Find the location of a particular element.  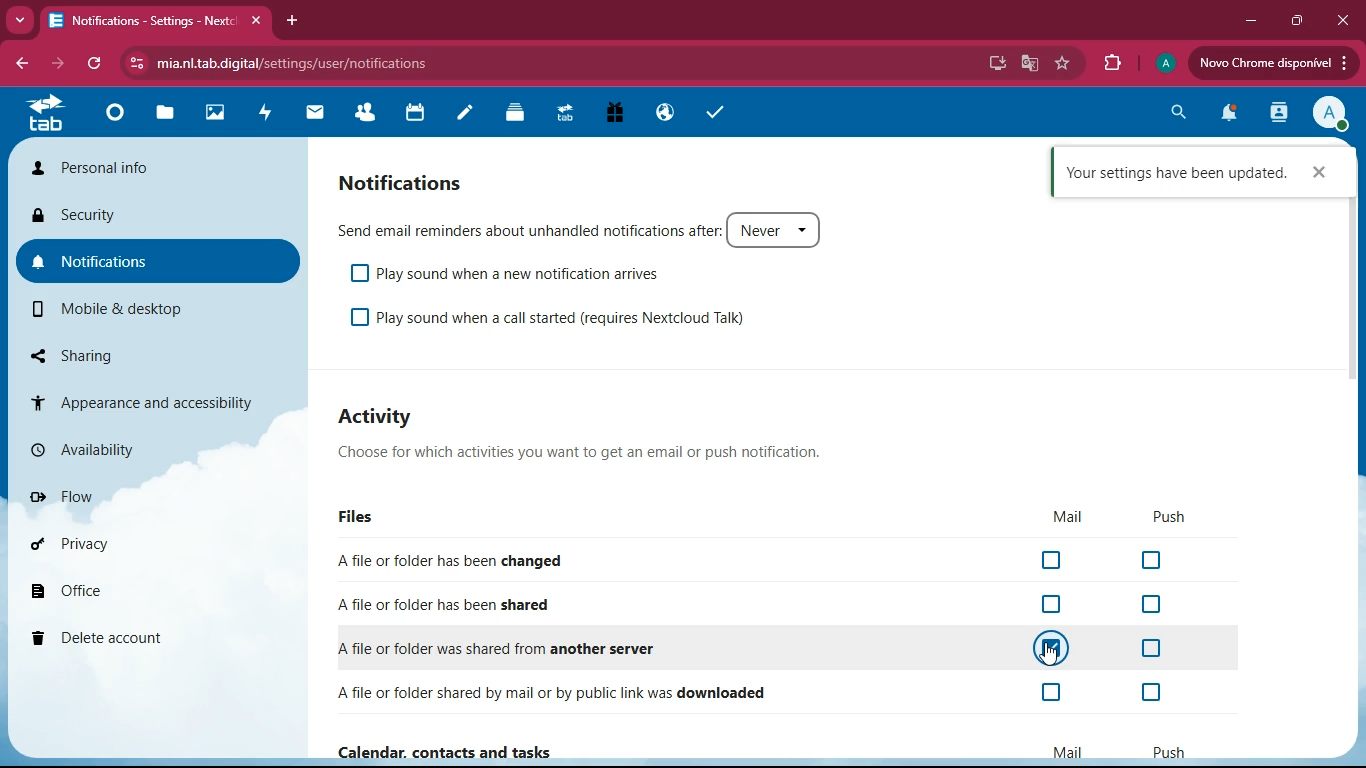

layers is located at coordinates (509, 113).